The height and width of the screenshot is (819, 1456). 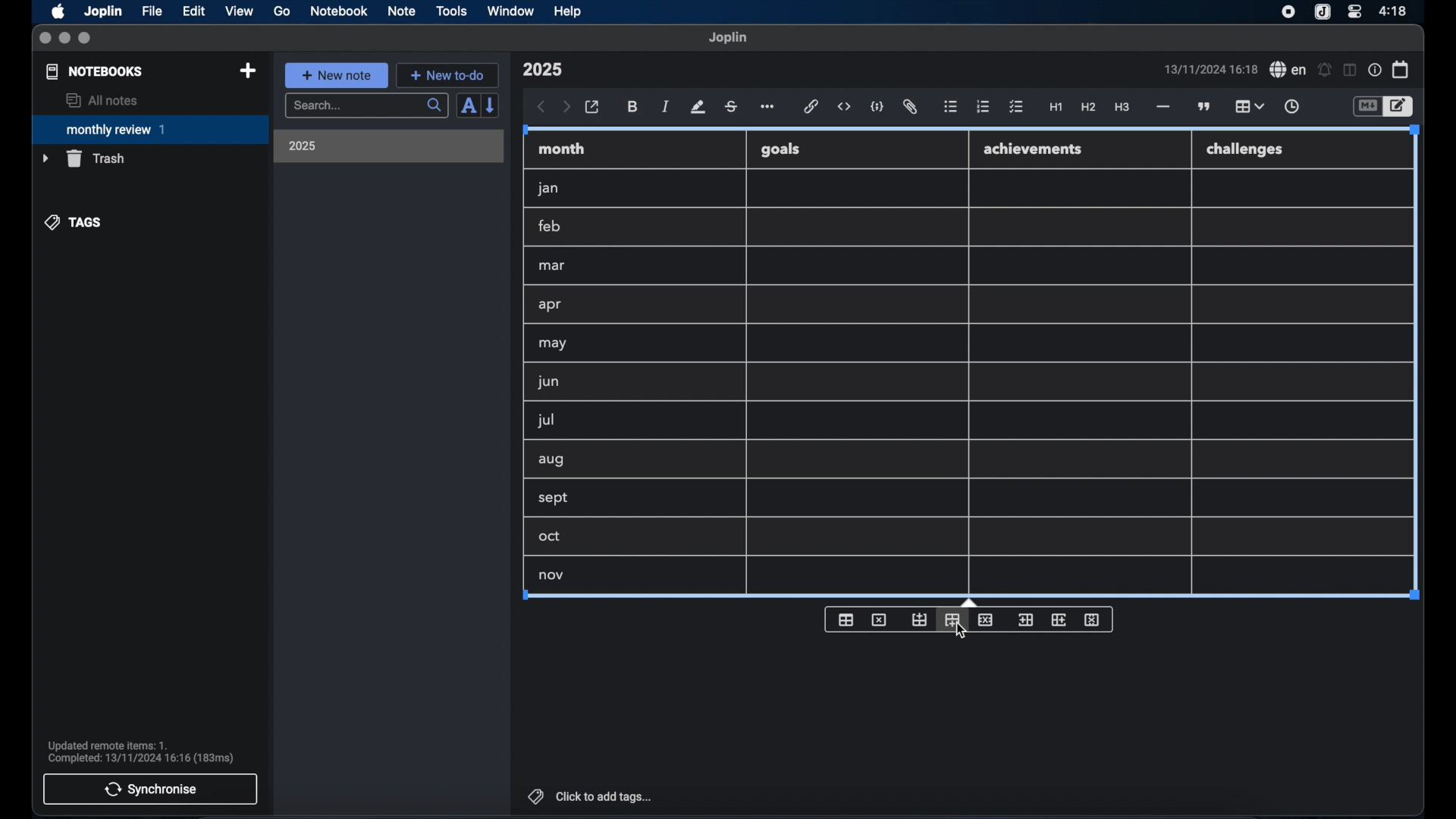 What do you see at coordinates (551, 461) in the screenshot?
I see `aug` at bounding box center [551, 461].